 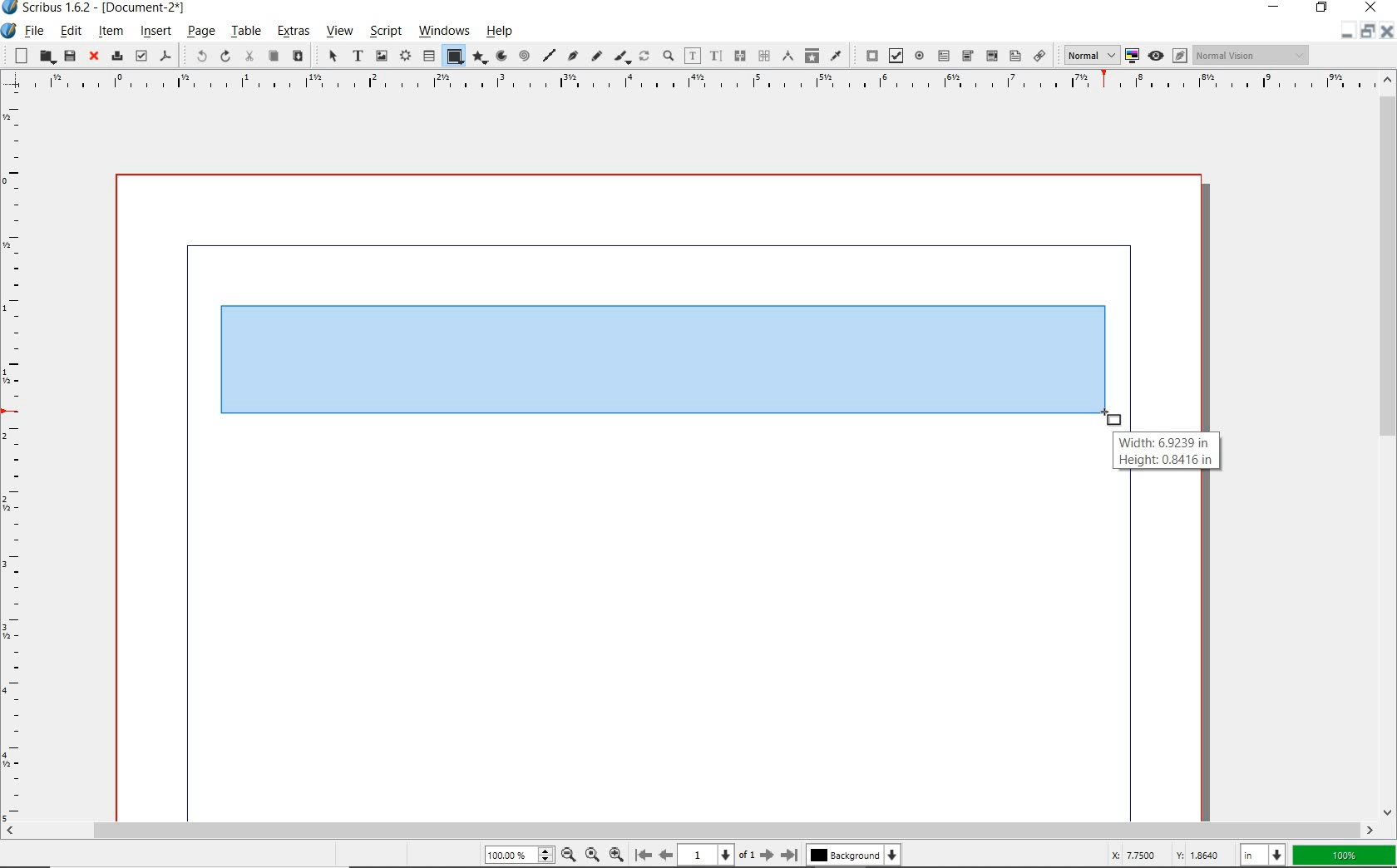 I want to click on insert, so click(x=155, y=32).